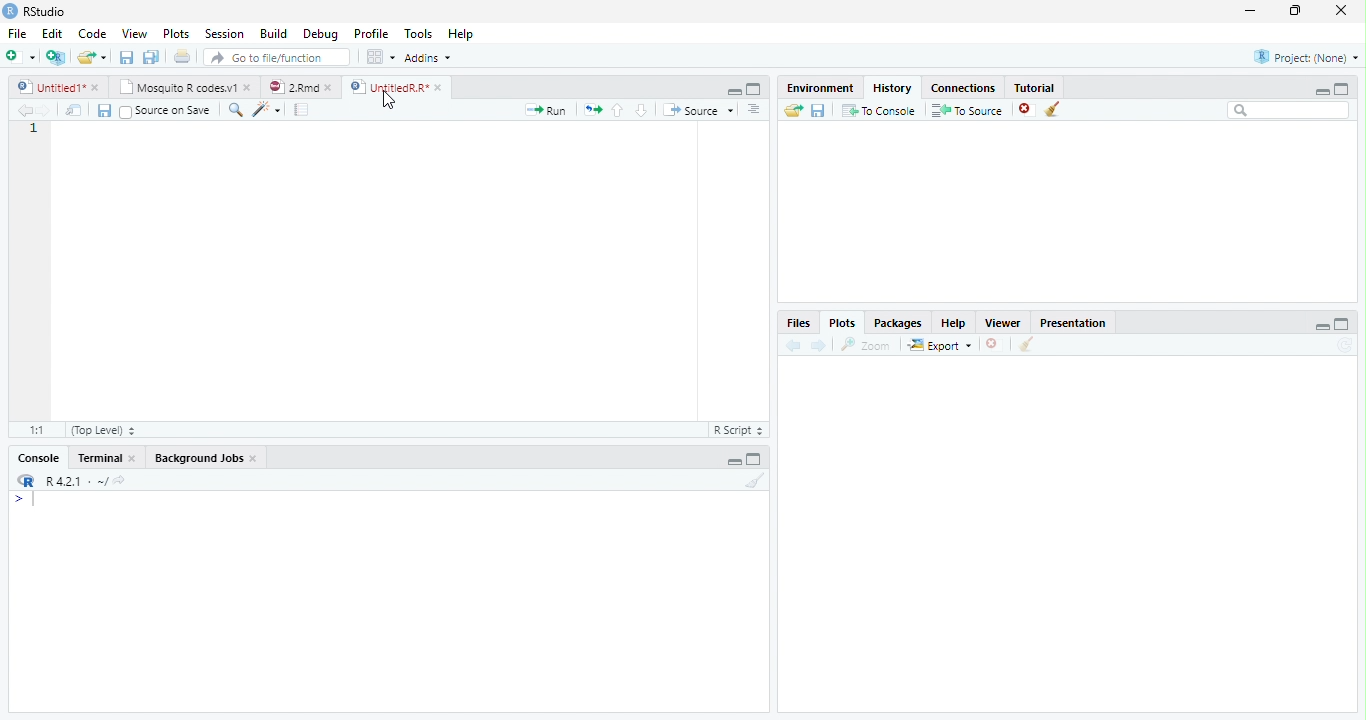  I want to click on History, so click(890, 88).